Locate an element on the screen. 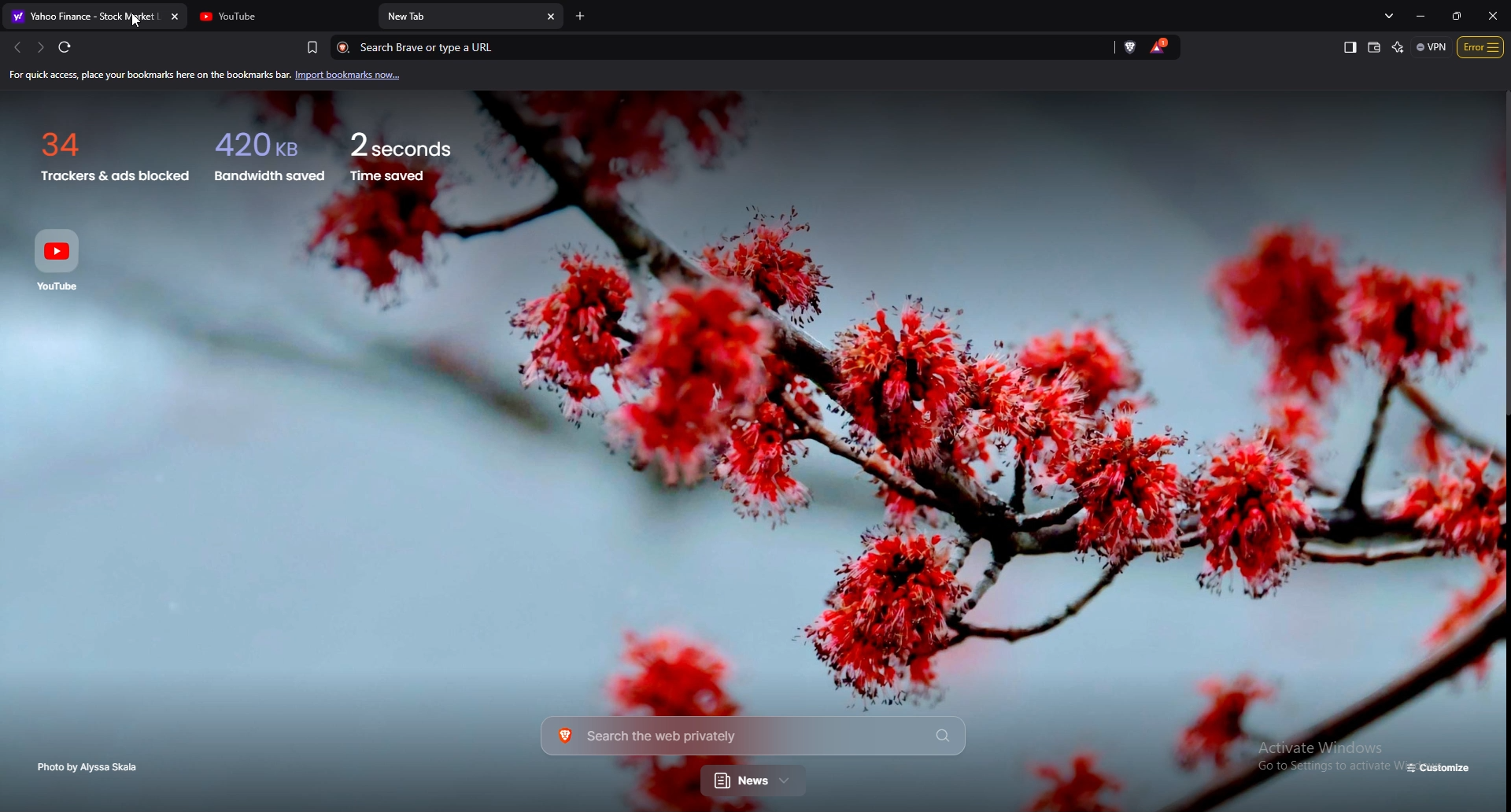 The height and width of the screenshot is (812, 1511). options is located at coordinates (1481, 46).